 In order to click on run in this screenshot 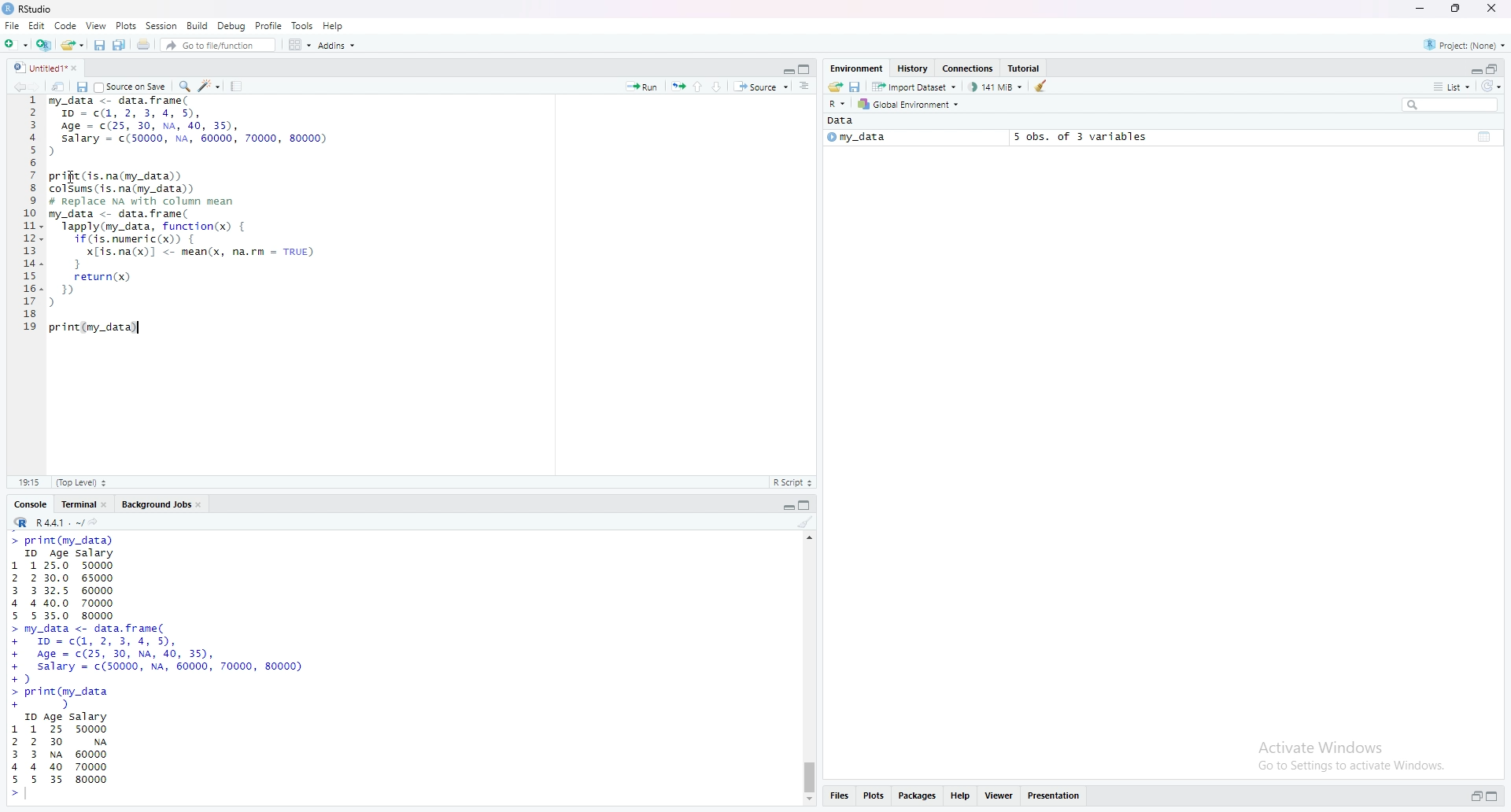, I will do `click(641, 87)`.